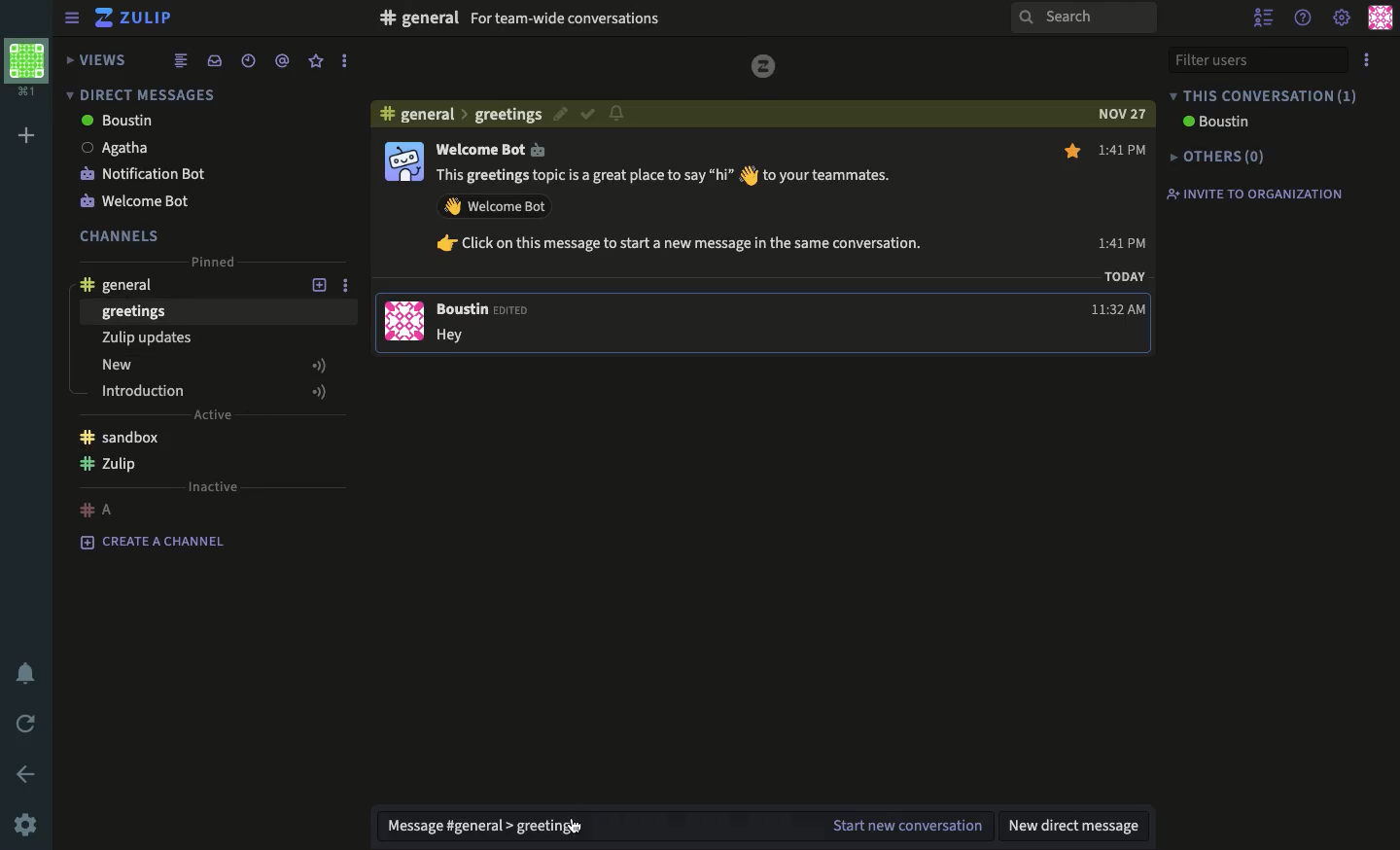 This screenshot has width=1400, height=850. I want to click on logo, so click(764, 66).